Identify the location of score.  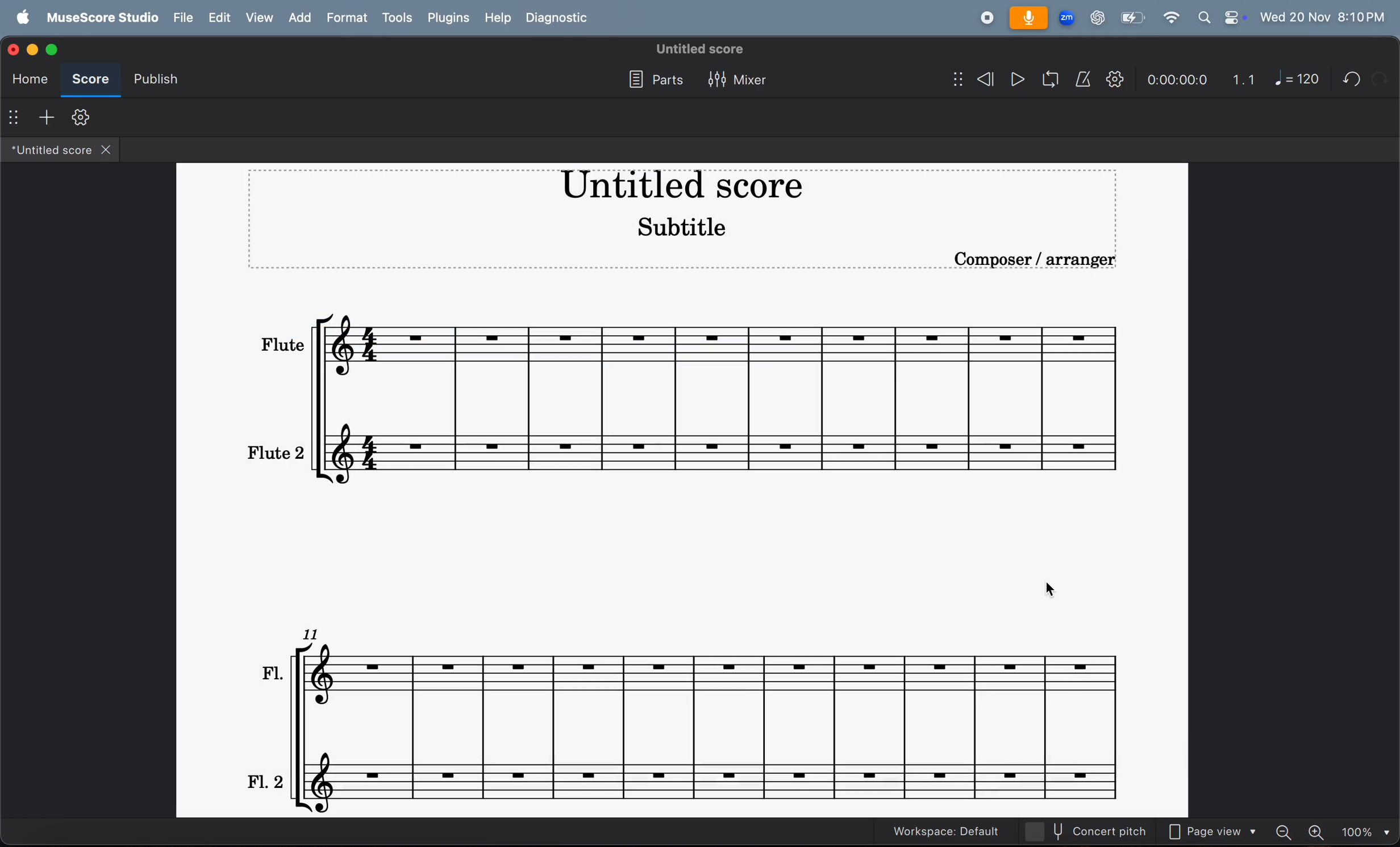
(93, 77).